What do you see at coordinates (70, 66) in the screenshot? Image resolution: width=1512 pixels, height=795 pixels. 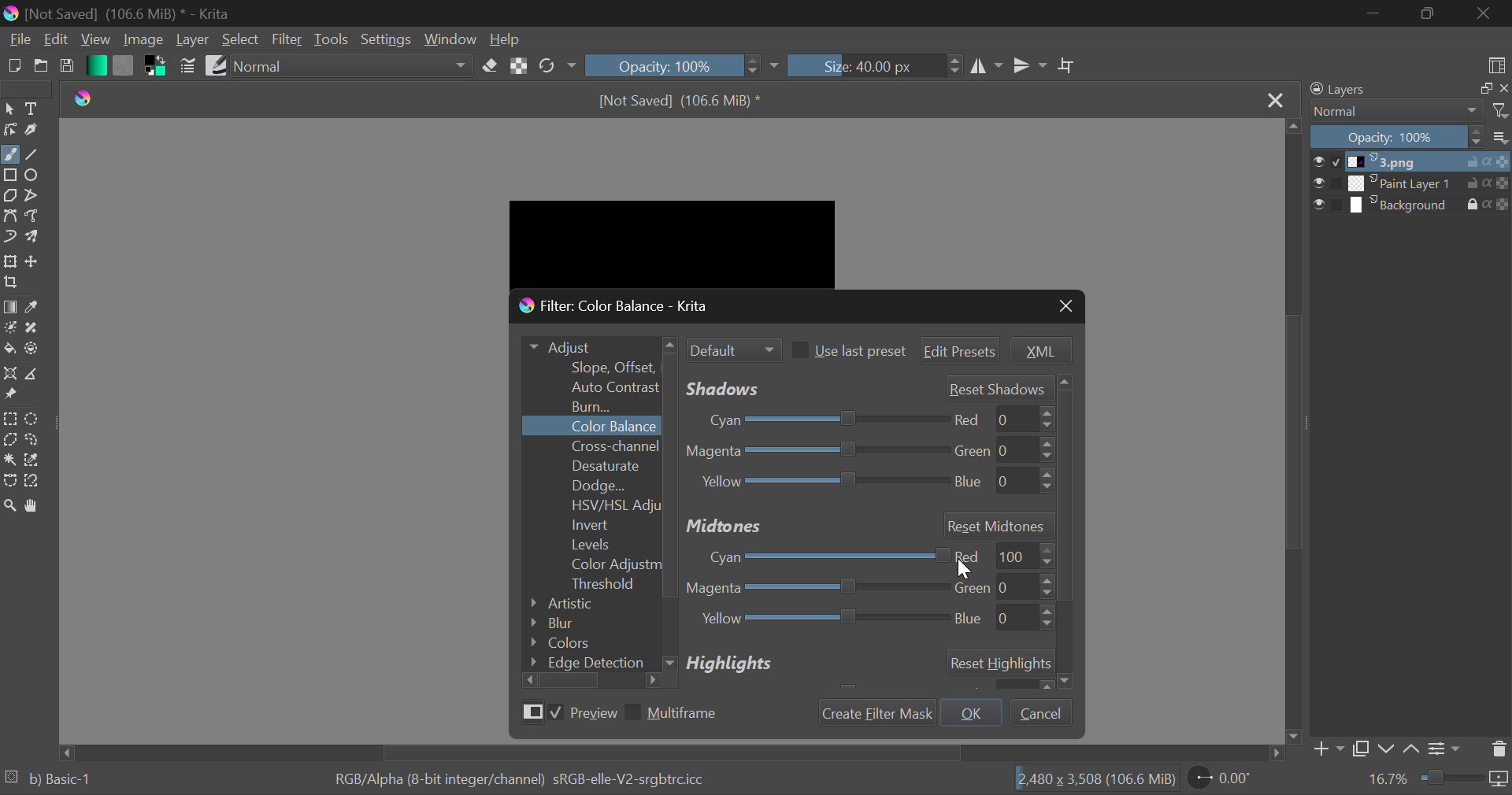 I see `Save` at bounding box center [70, 66].